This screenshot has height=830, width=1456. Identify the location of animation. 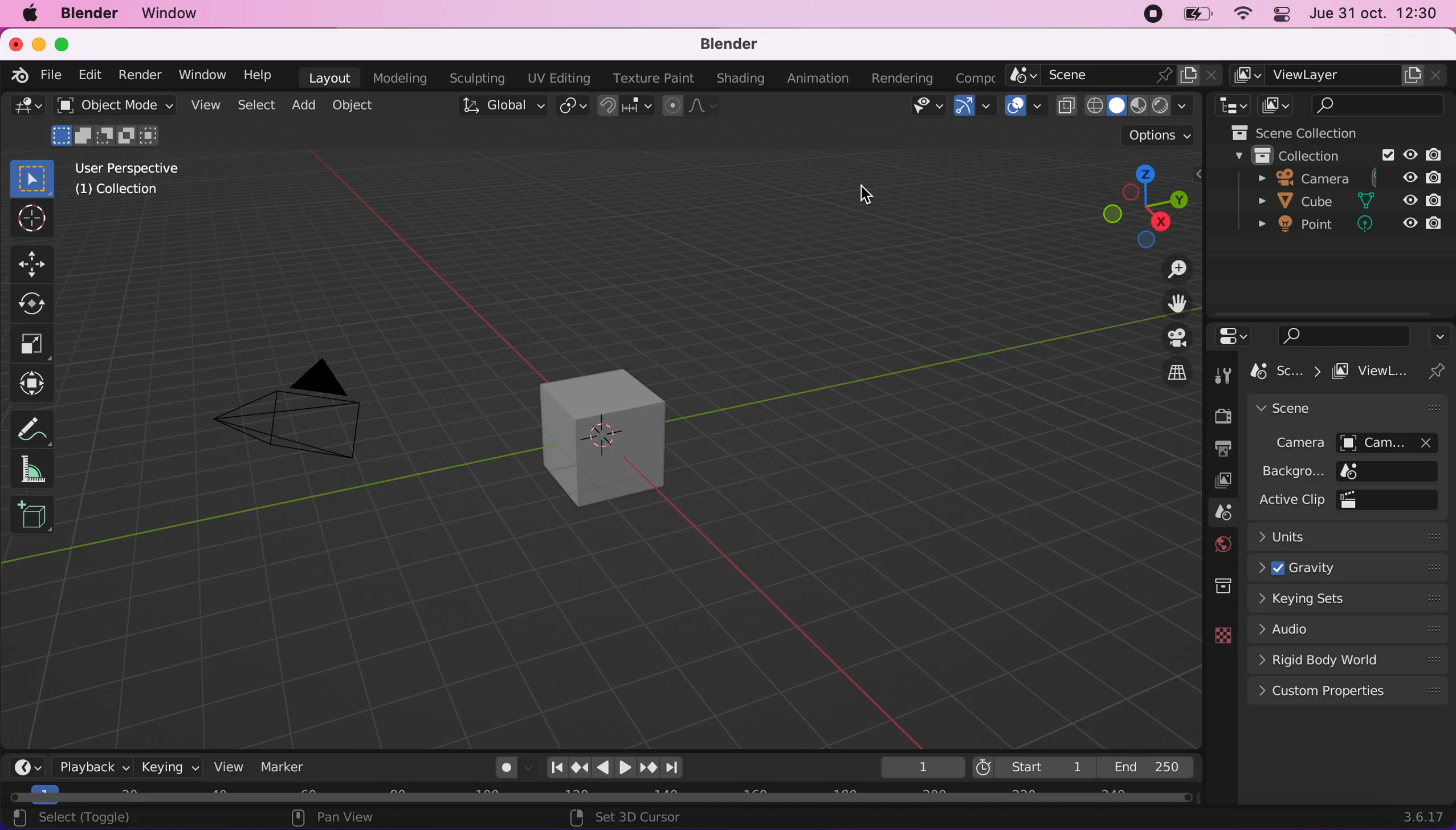
(823, 79).